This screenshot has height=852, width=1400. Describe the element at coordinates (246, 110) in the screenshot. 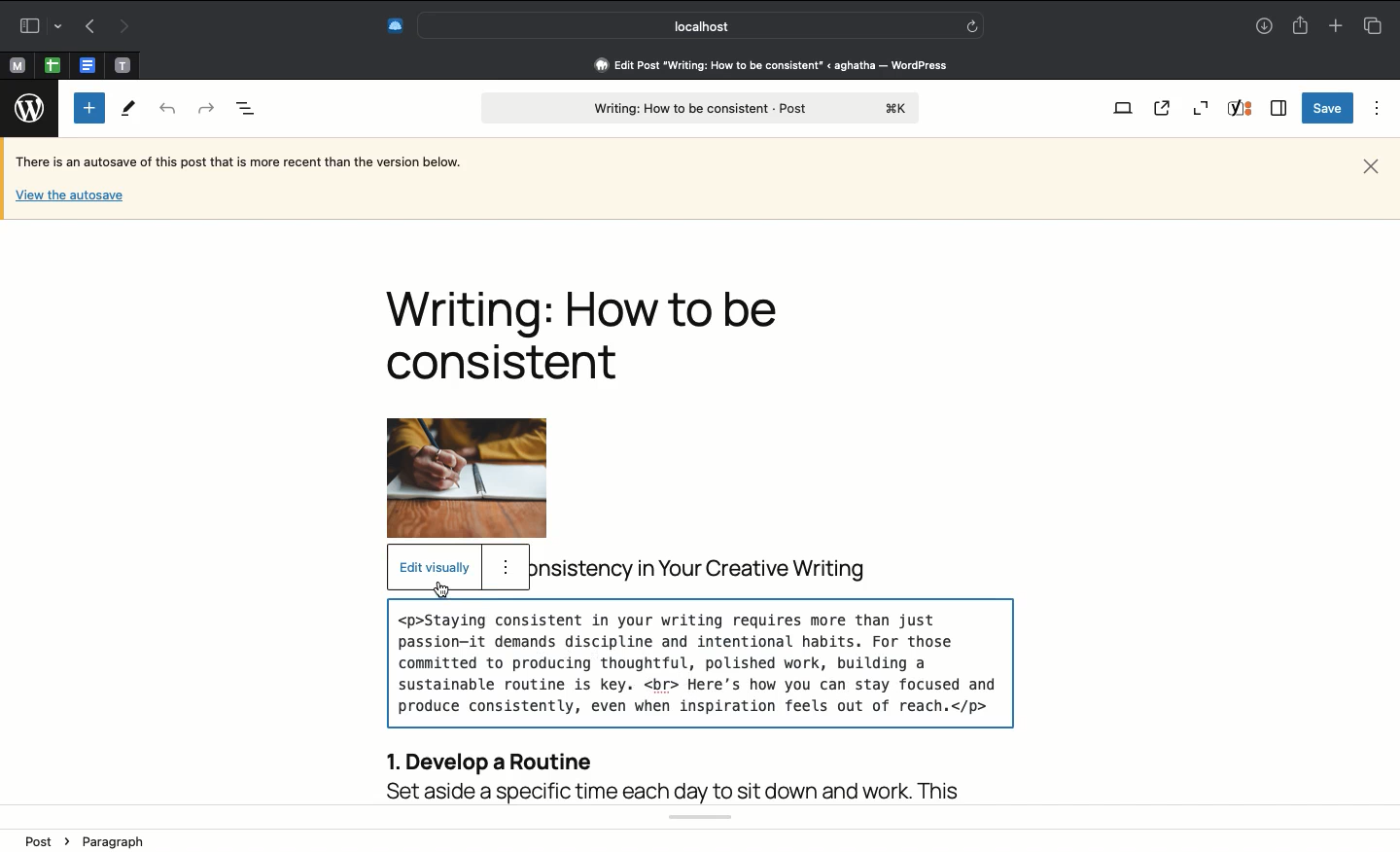

I see `Document overview` at that location.